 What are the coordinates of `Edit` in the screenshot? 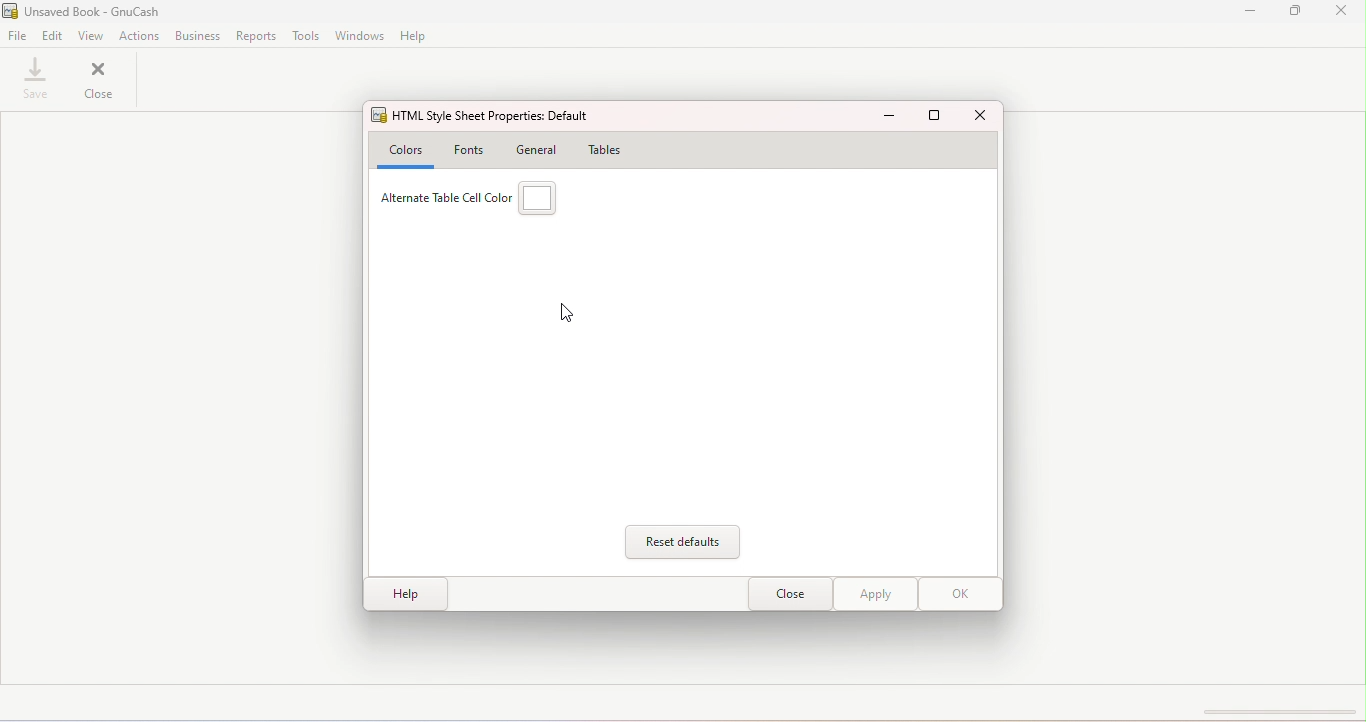 It's located at (51, 38).